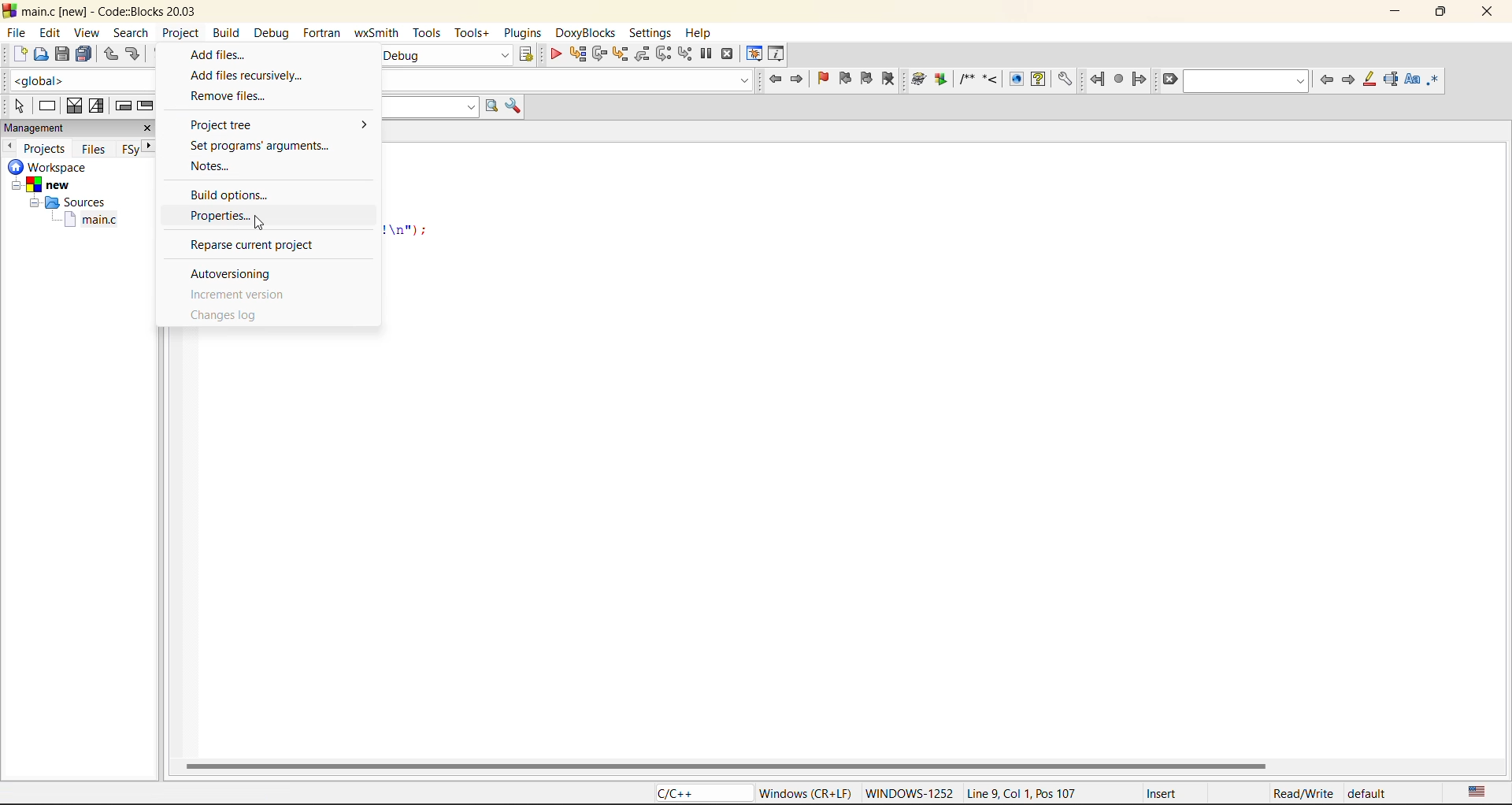 Image resolution: width=1512 pixels, height=805 pixels. What do you see at coordinates (966, 80) in the screenshot?
I see `Insert a comment block at the current line` at bounding box center [966, 80].